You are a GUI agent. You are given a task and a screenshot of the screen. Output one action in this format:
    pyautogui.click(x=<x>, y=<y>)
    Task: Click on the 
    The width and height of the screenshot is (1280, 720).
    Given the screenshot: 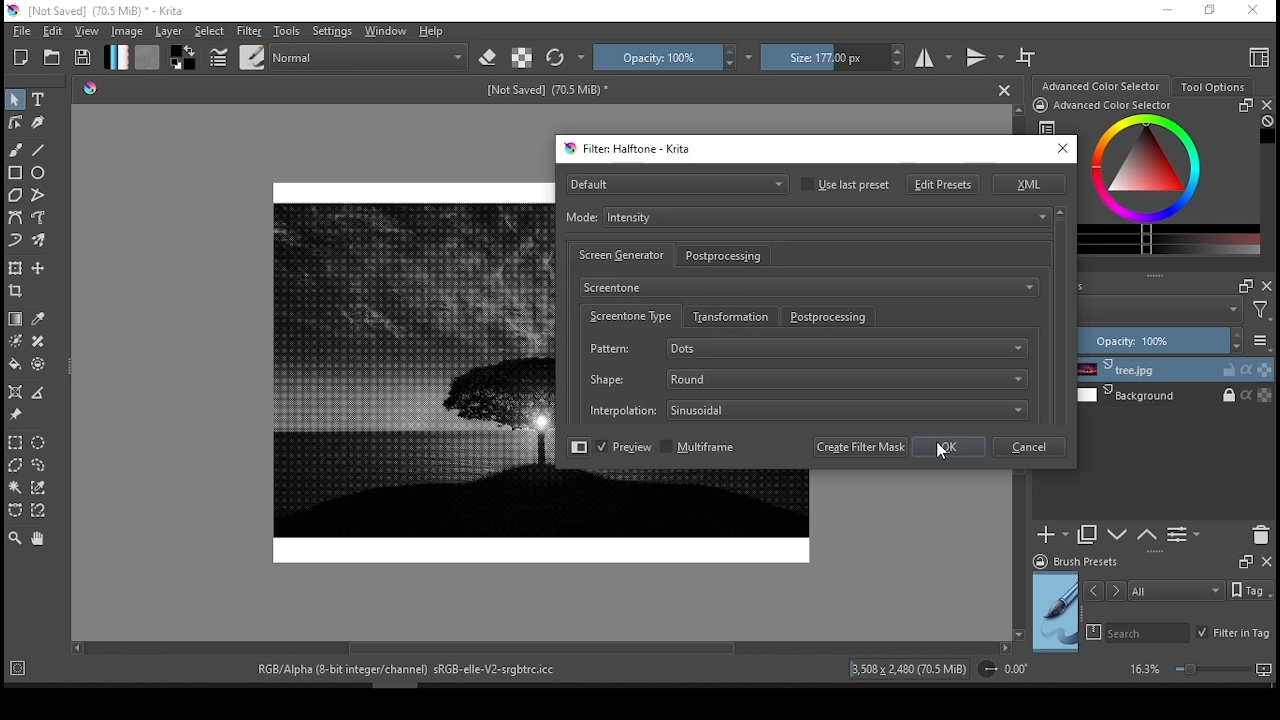 What is the action you would take?
    pyautogui.click(x=1031, y=58)
    